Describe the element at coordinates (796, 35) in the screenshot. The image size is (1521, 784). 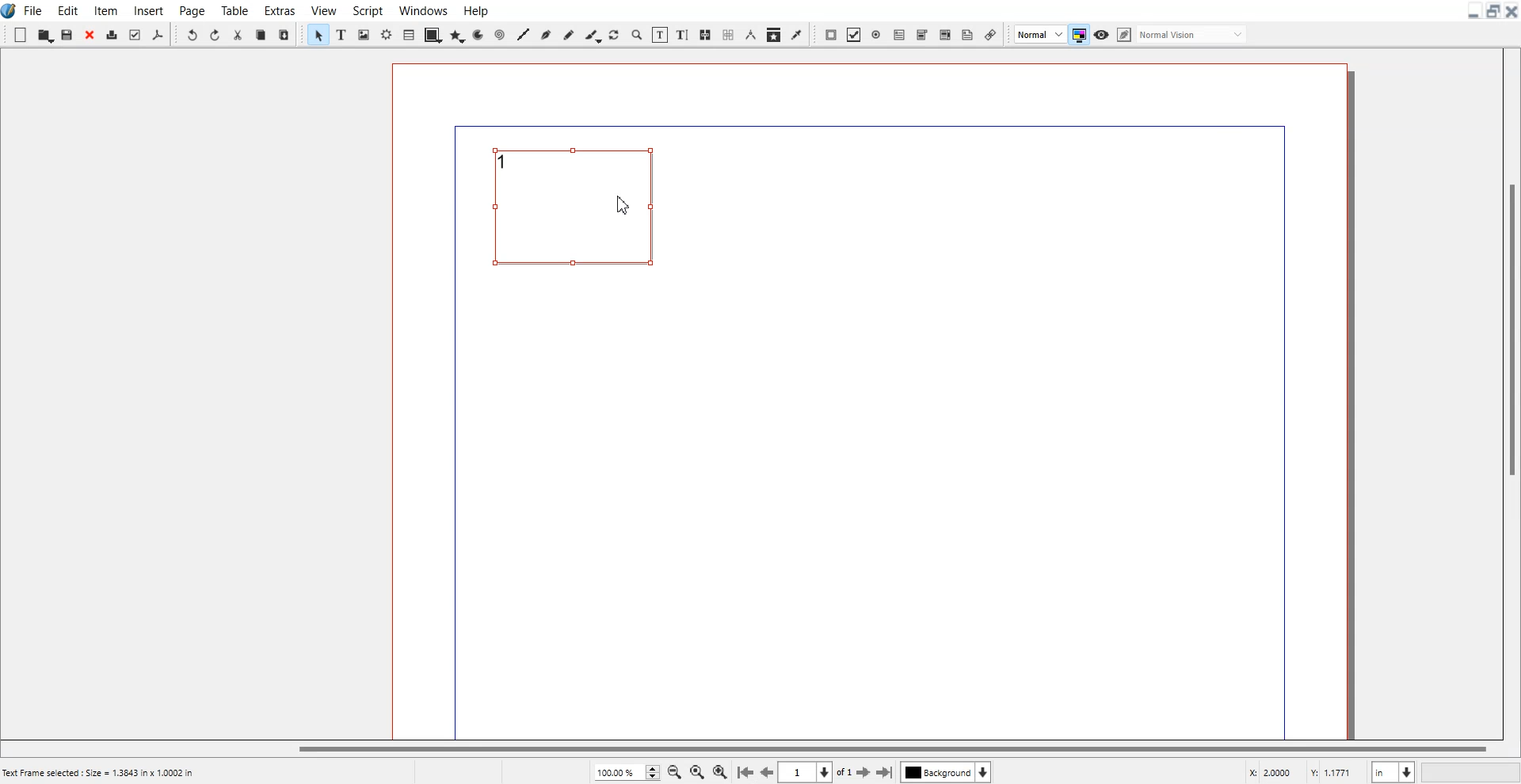
I see `Eye Dropper` at that location.